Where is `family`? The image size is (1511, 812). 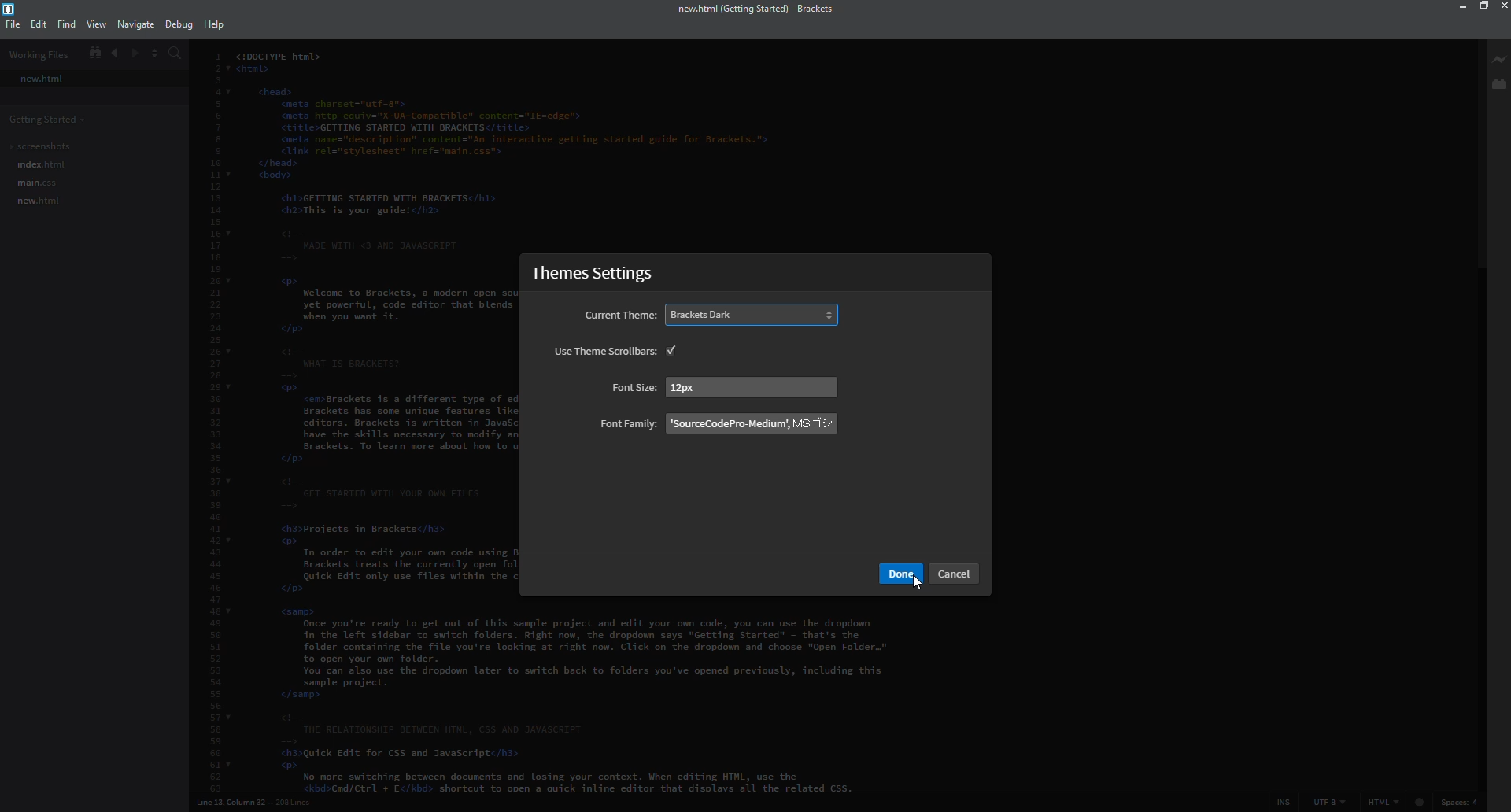 family is located at coordinates (750, 424).